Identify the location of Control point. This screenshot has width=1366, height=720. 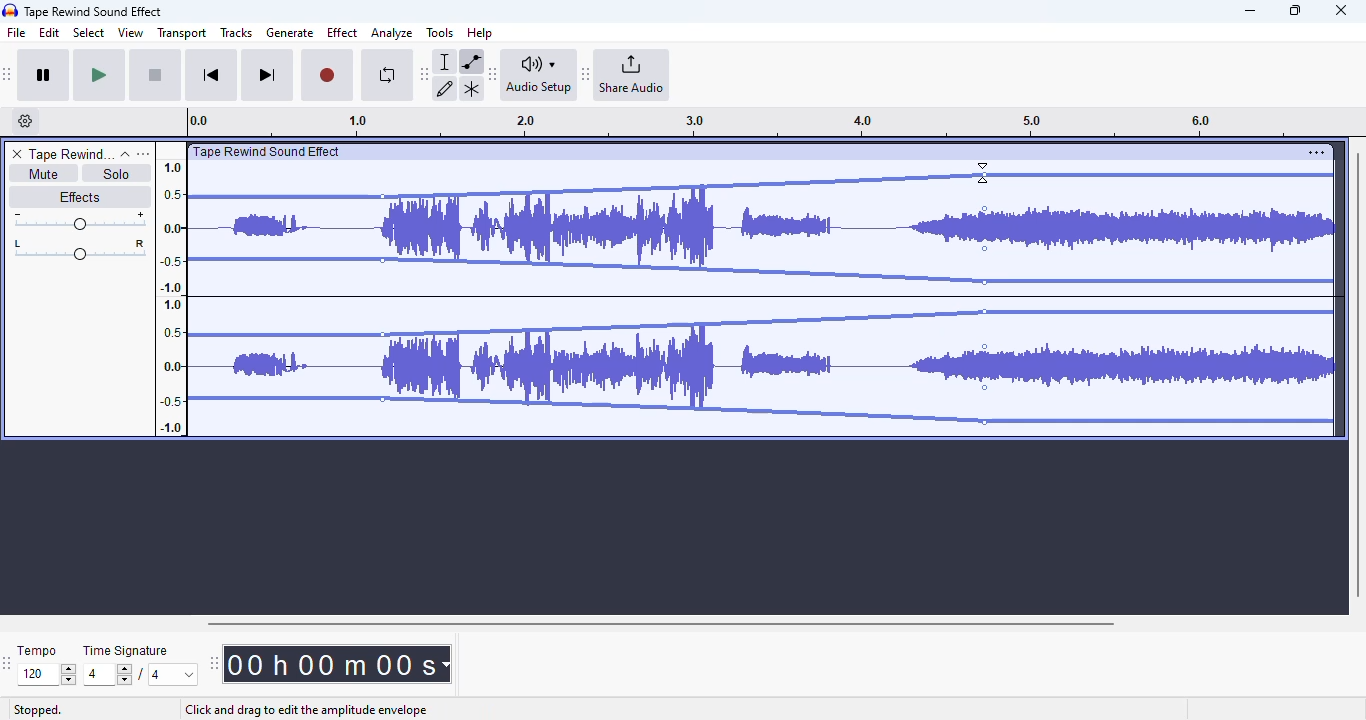
(985, 282).